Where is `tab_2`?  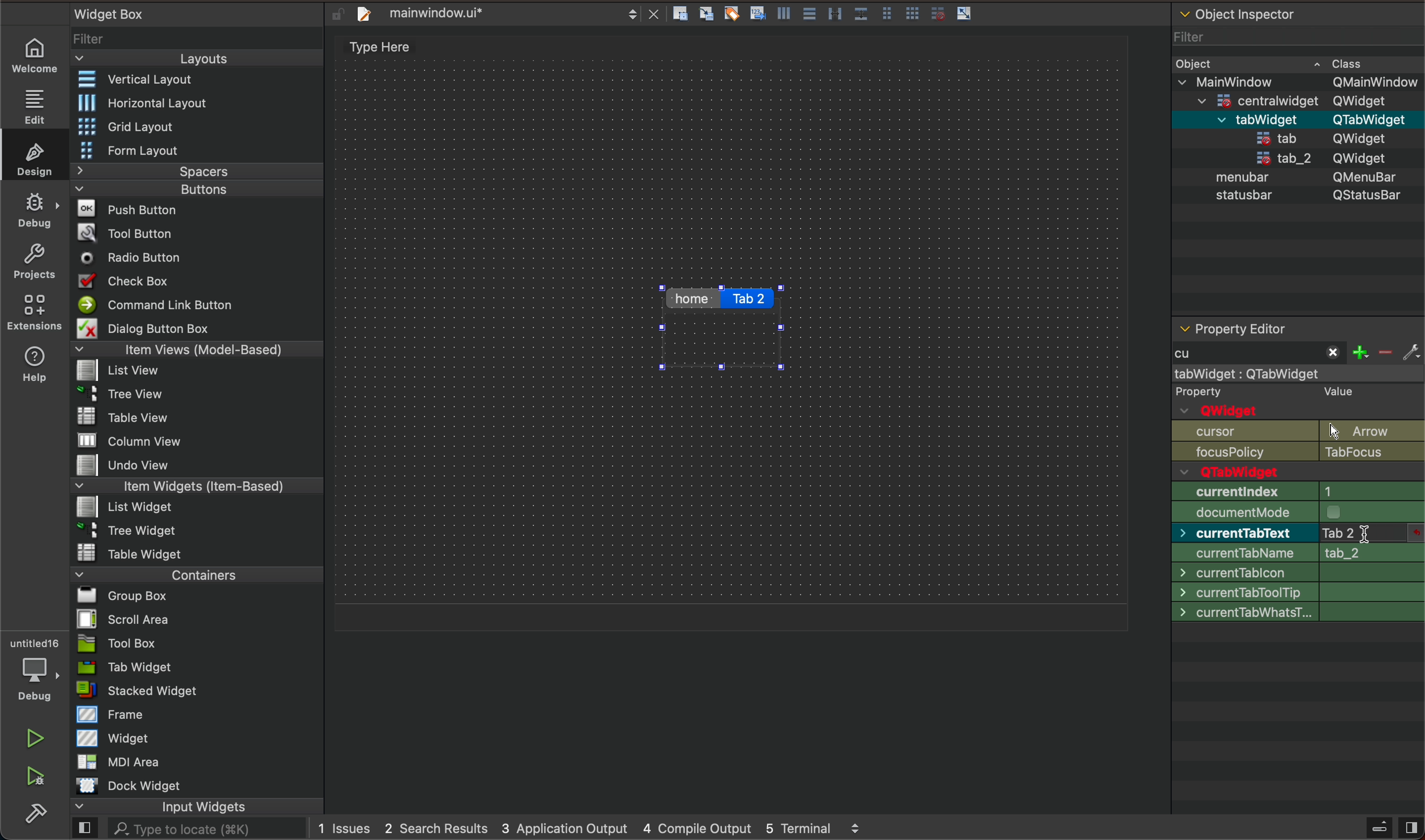 tab_2 is located at coordinates (1270, 160).